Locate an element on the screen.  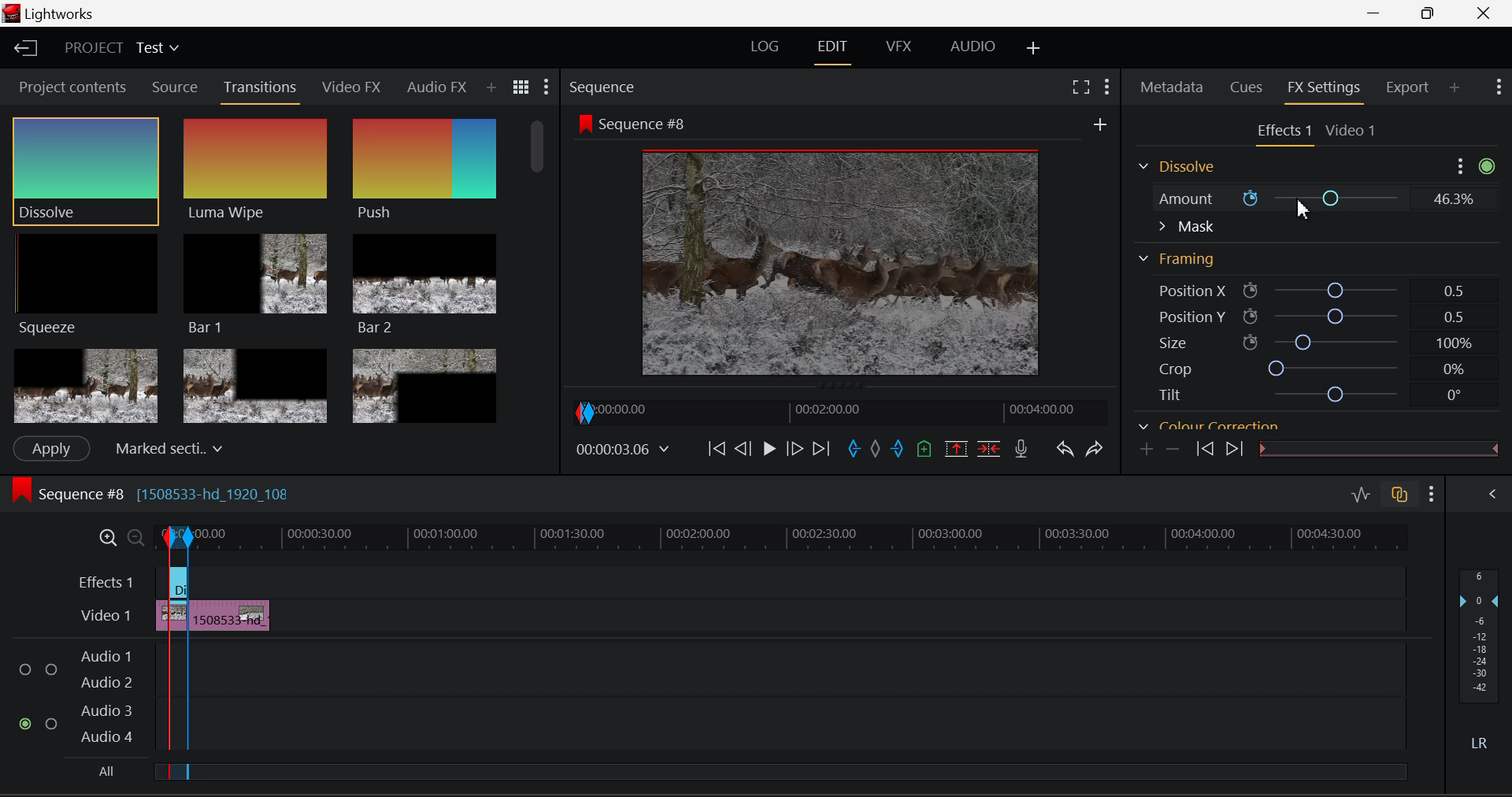
Gamma is located at coordinates (1293, 425).